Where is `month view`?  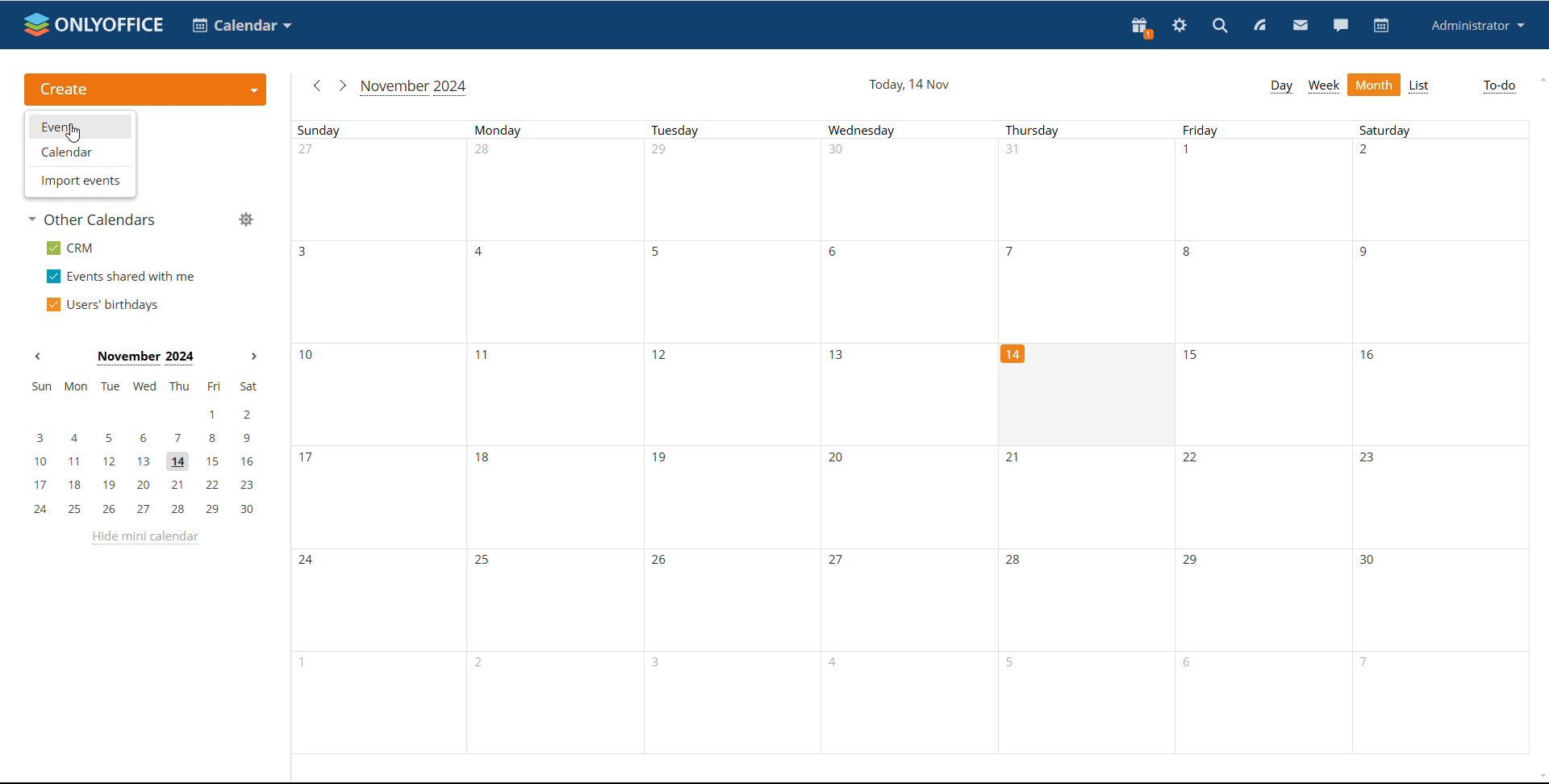 month view is located at coordinates (1373, 84).